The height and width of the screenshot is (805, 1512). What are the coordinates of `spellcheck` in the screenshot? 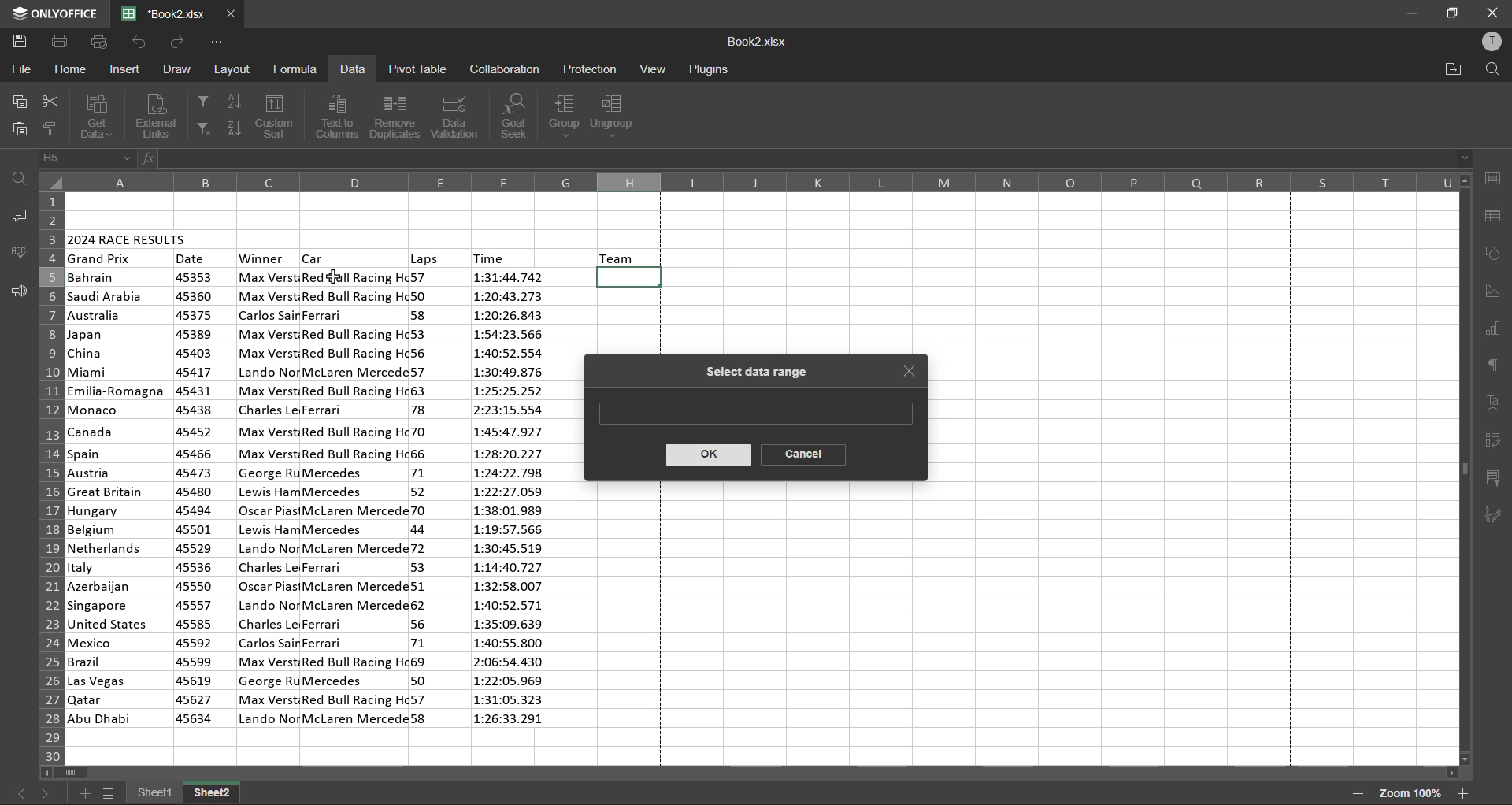 It's located at (20, 252).